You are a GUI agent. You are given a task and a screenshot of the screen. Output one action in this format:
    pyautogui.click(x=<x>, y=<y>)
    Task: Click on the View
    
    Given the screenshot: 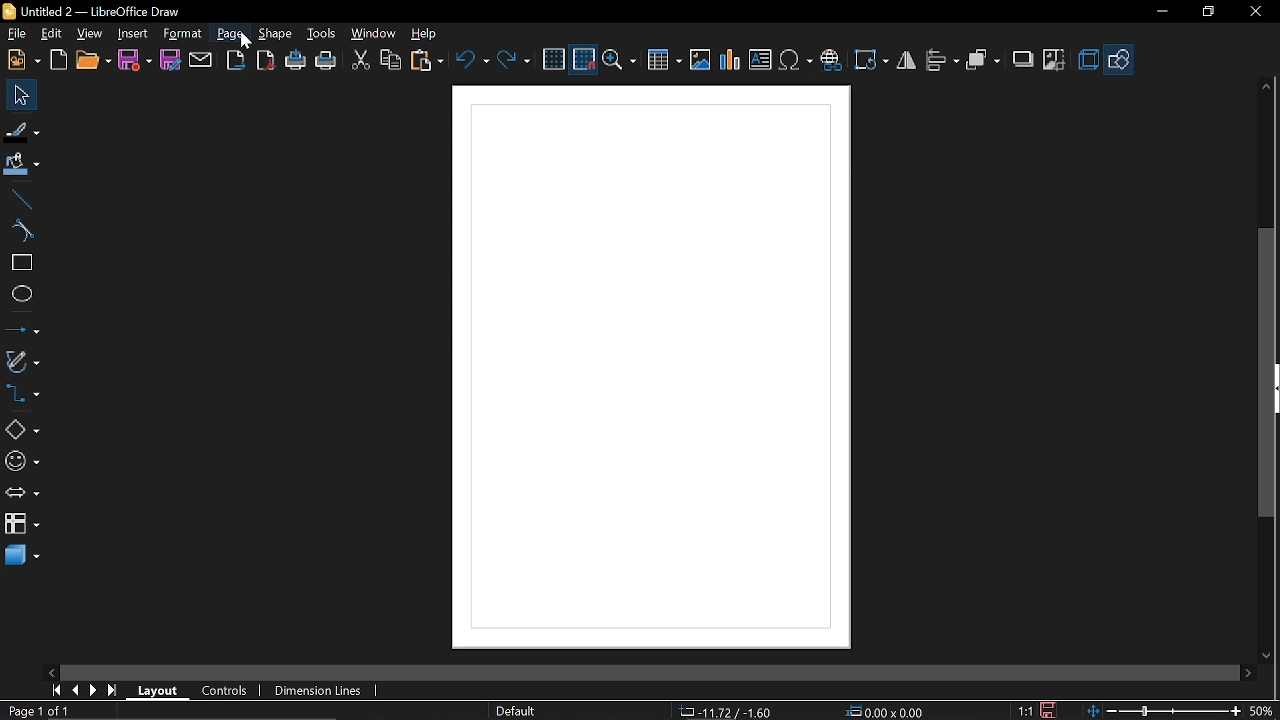 What is the action you would take?
    pyautogui.click(x=89, y=35)
    